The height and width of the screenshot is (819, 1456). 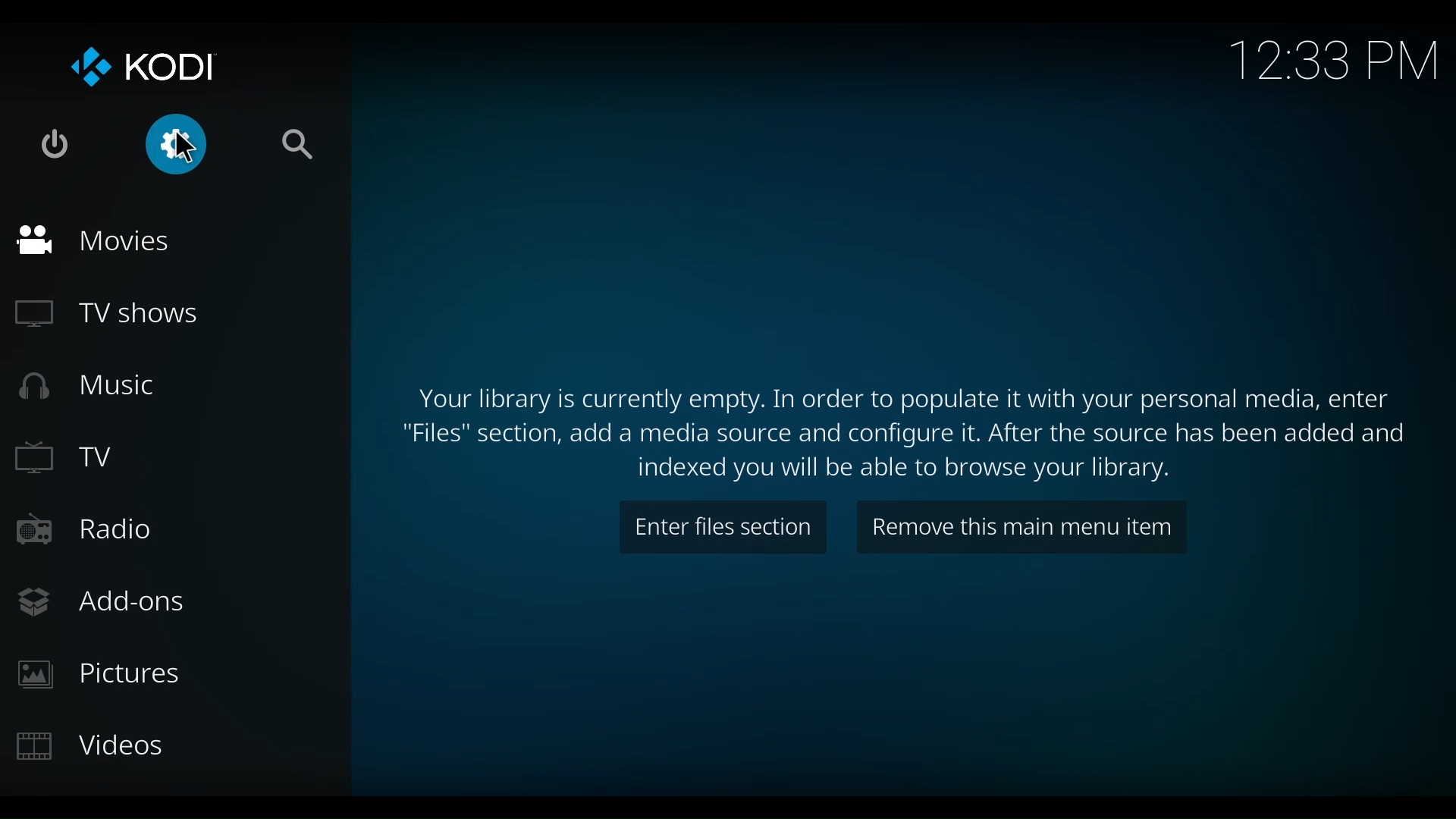 What do you see at coordinates (89, 388) in the screenshot?
I see `Music` at bounding box center [89, 388].